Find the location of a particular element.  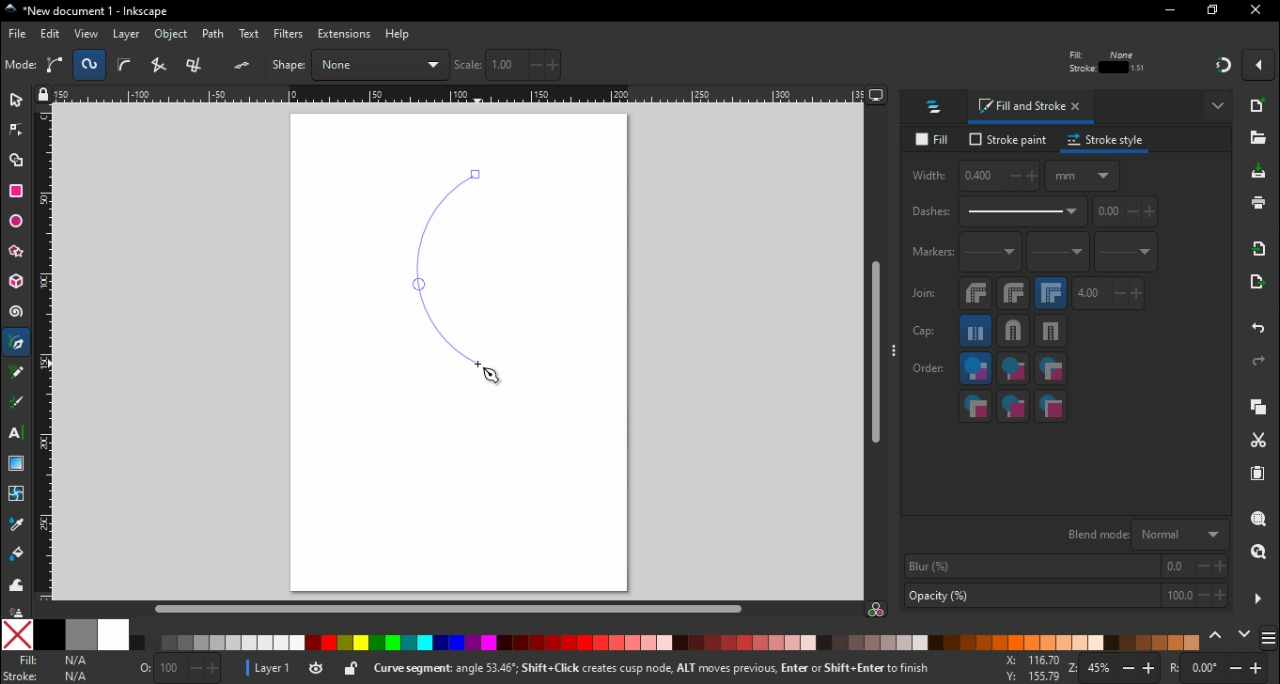

butt is located at coordinates (977, 334).